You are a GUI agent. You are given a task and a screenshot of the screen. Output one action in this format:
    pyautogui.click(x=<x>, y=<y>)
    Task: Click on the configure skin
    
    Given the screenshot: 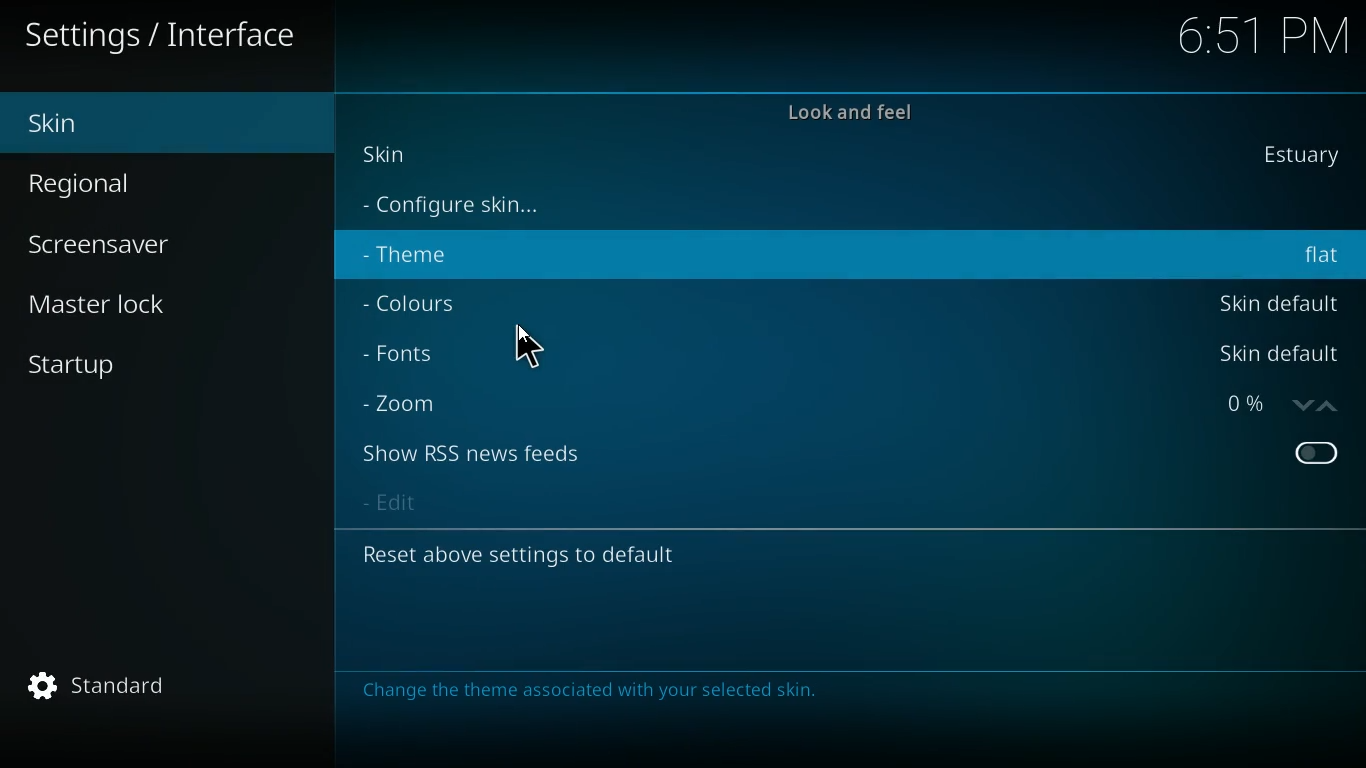 What is the action you would take?
    pyautogui.click(x=461, y=207)
    